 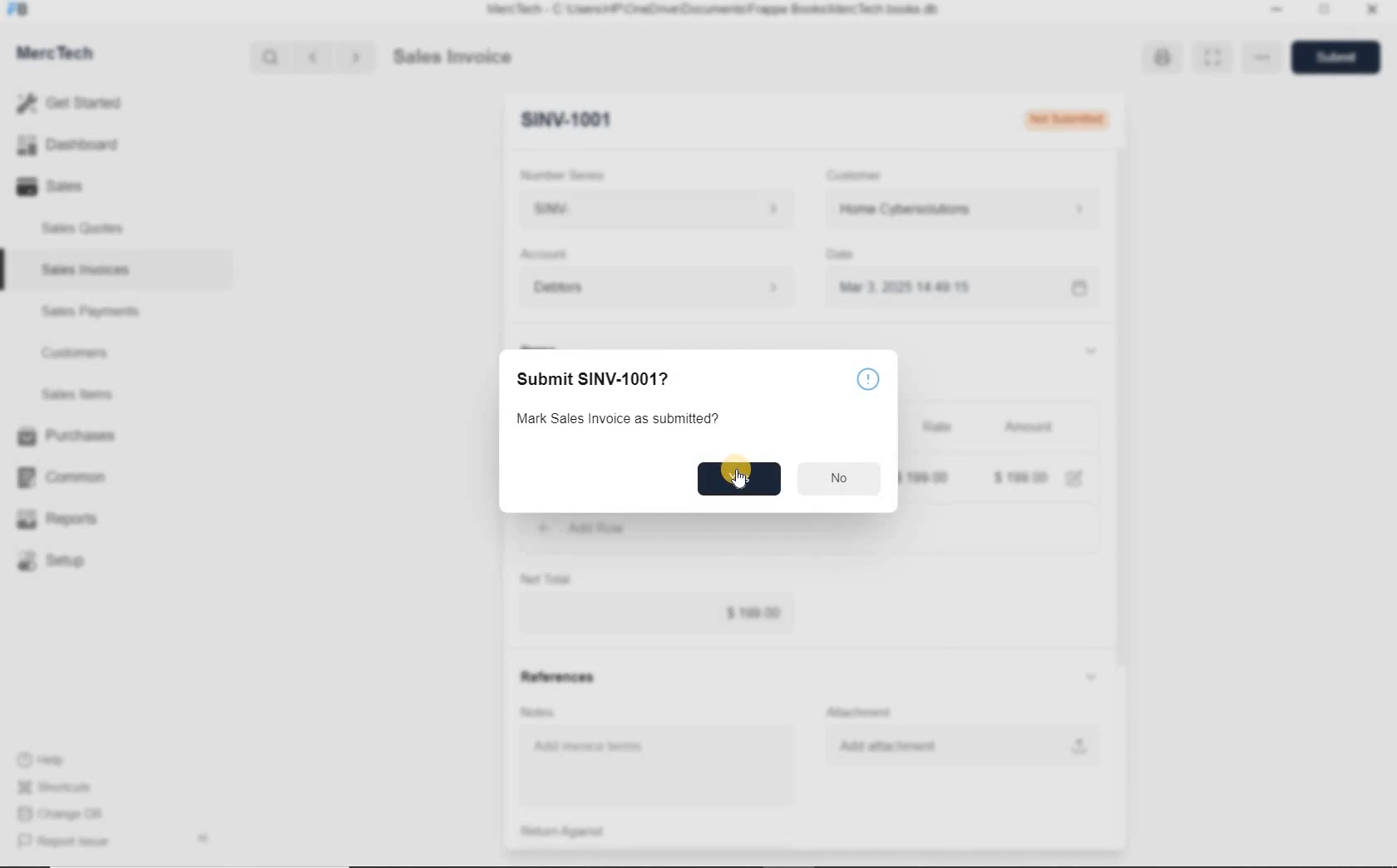 I want to click on Minimize, so click(x=1276, y=12).